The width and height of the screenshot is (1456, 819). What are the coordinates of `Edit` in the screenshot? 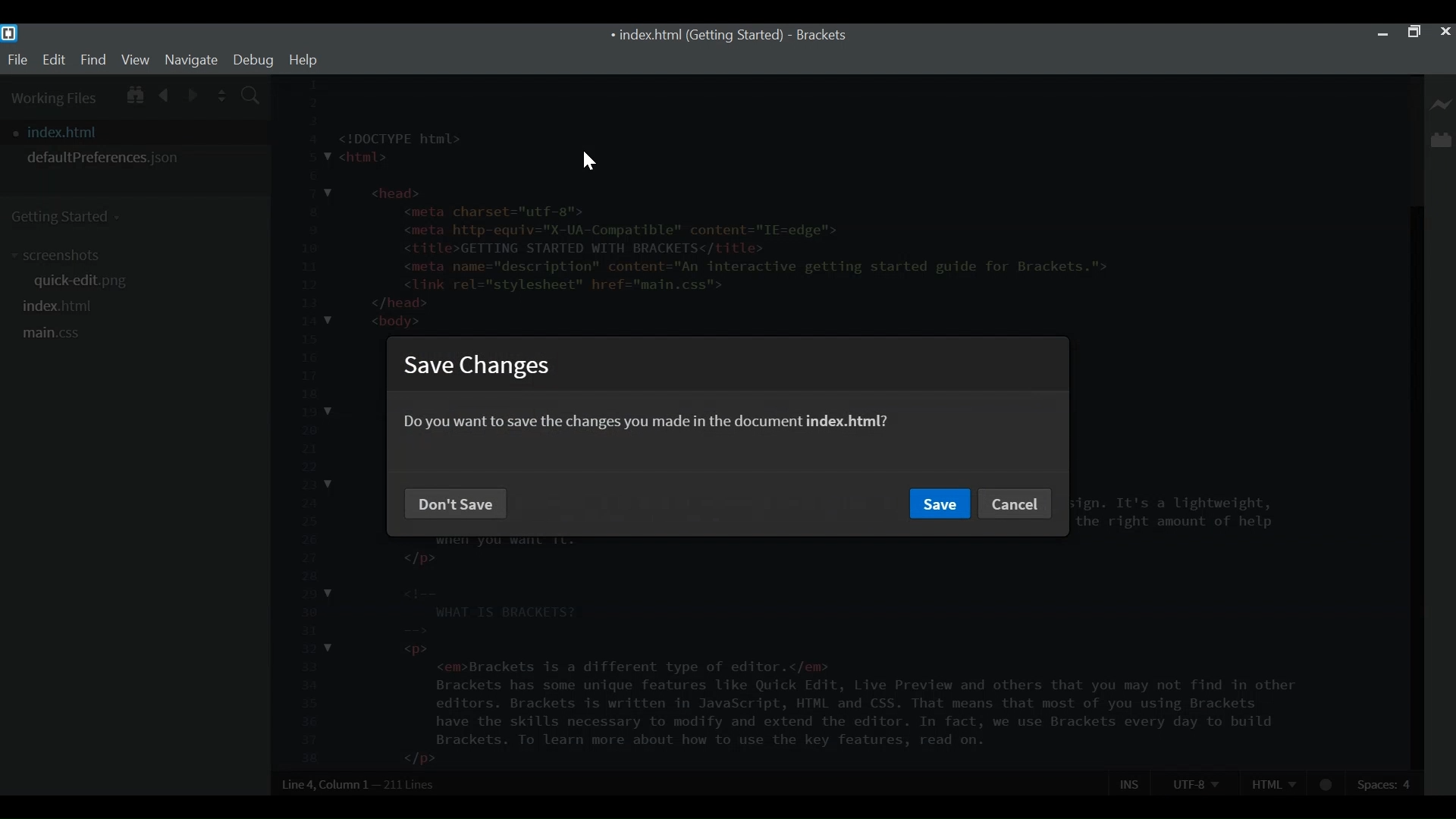 It's located at (53, 60).